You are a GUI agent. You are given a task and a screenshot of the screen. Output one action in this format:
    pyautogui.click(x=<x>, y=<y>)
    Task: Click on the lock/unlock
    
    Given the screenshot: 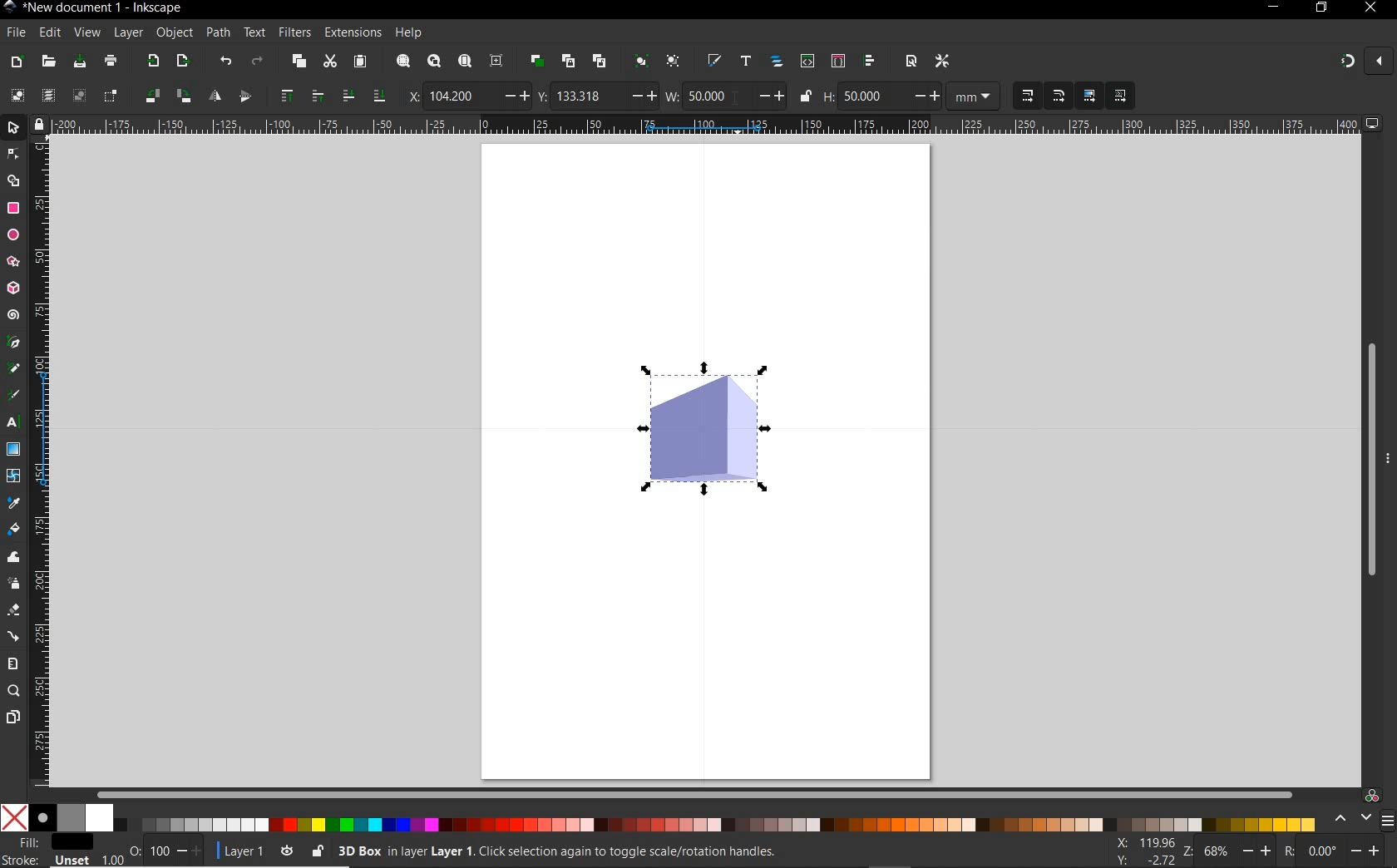 What is the action you would take?
    pyautogui.click(x=316, y=849)
    